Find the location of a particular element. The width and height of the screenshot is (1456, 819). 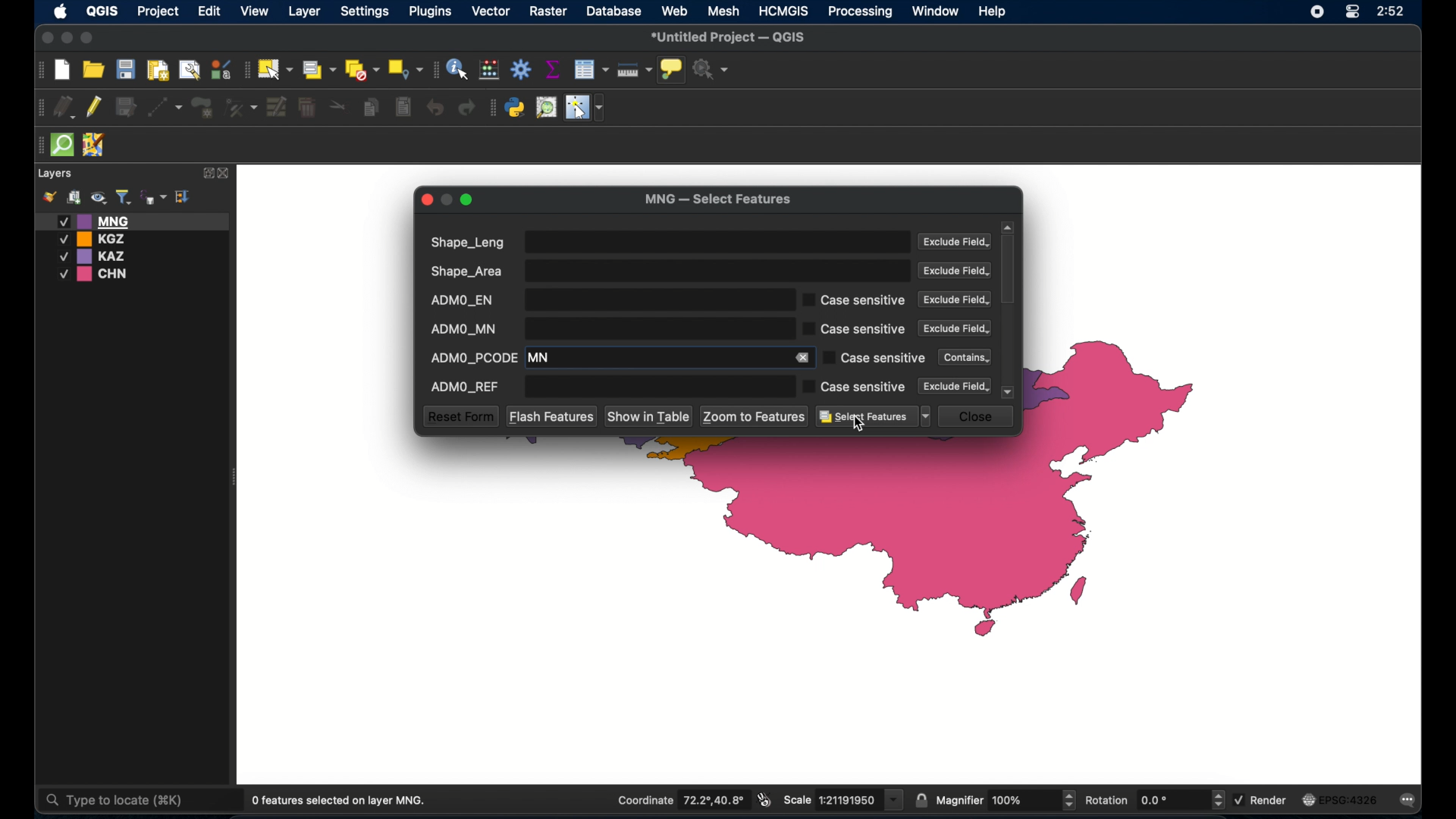

exclude field is located at coordinates (955, 328).